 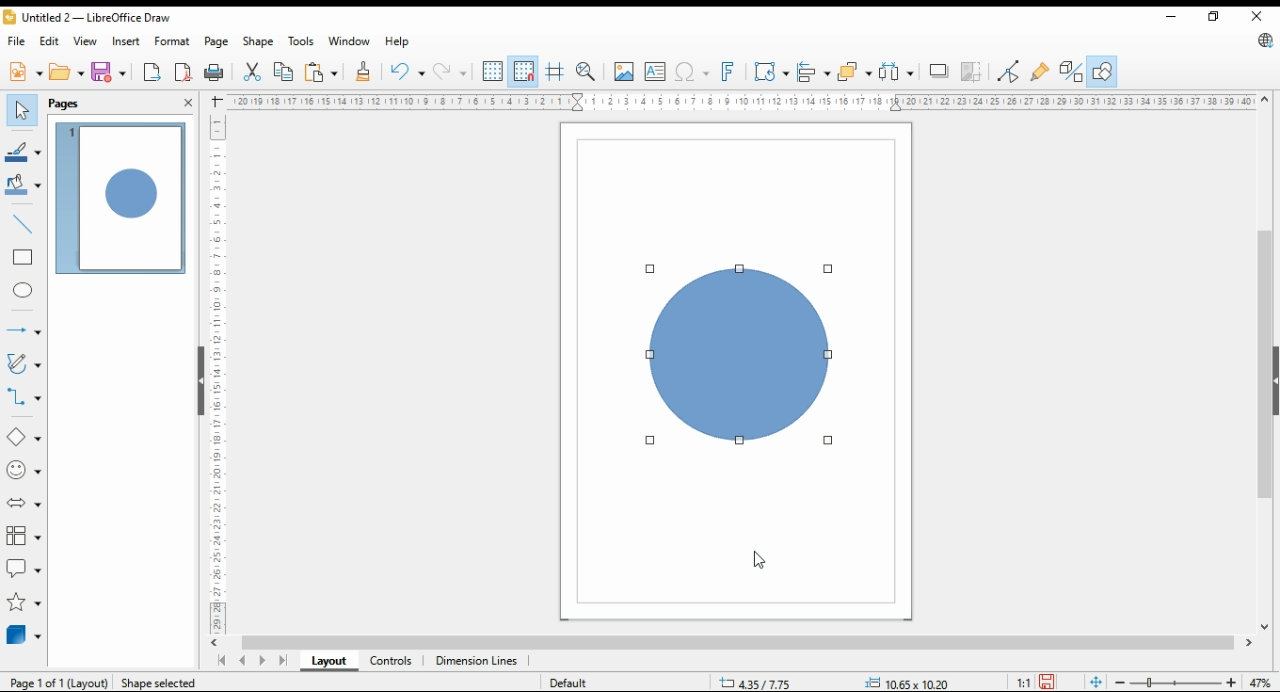 What do you see at coordinates (449, 71) in the screenshot?
I see `redo` at bounding box center [449, 71].